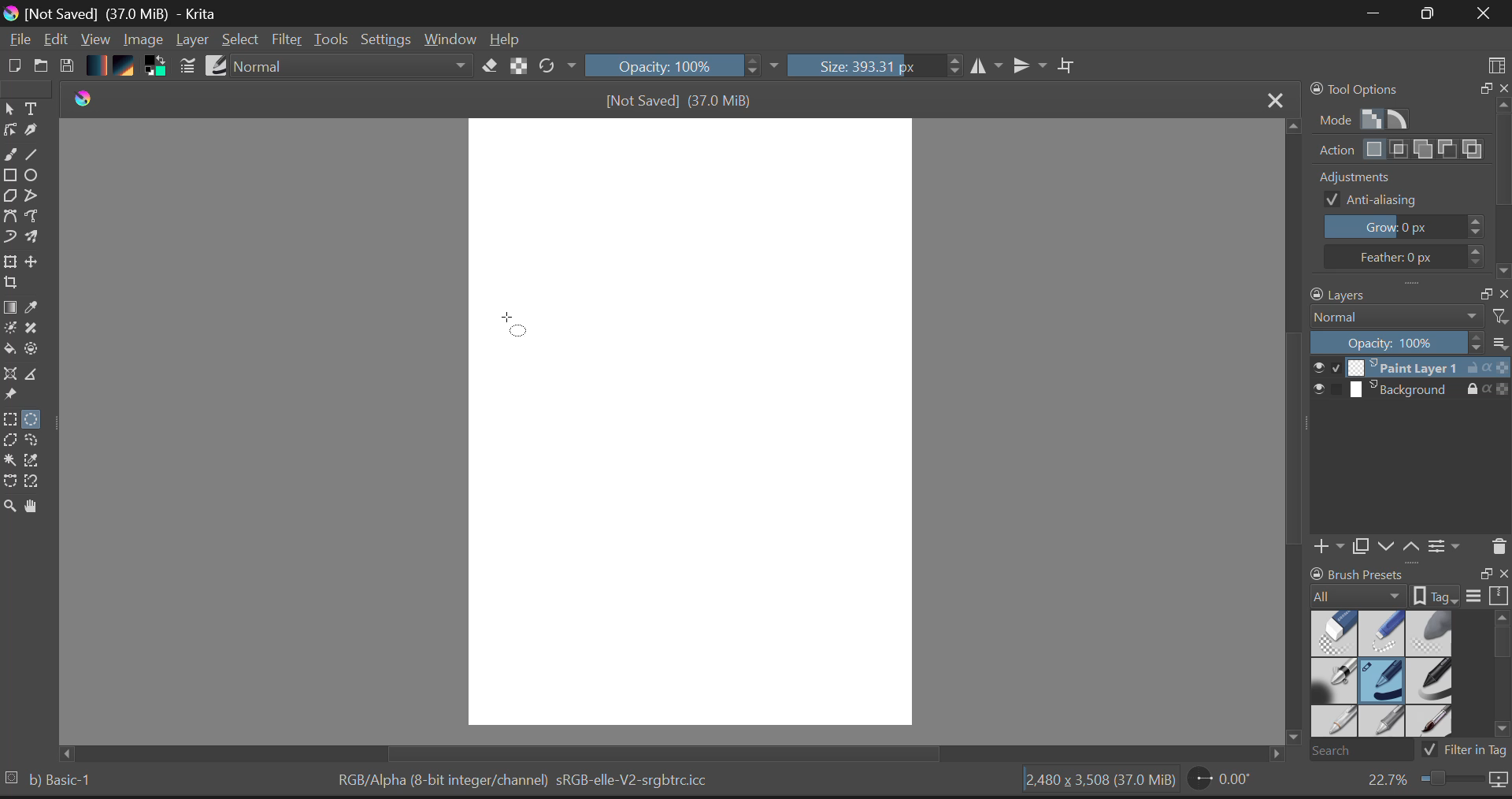 The width and height of the screenshot is (1512, 799). What do you see at coordinates (1271, 98) in the screenshot?
I see `Close` at bounding box center [1271, 98].